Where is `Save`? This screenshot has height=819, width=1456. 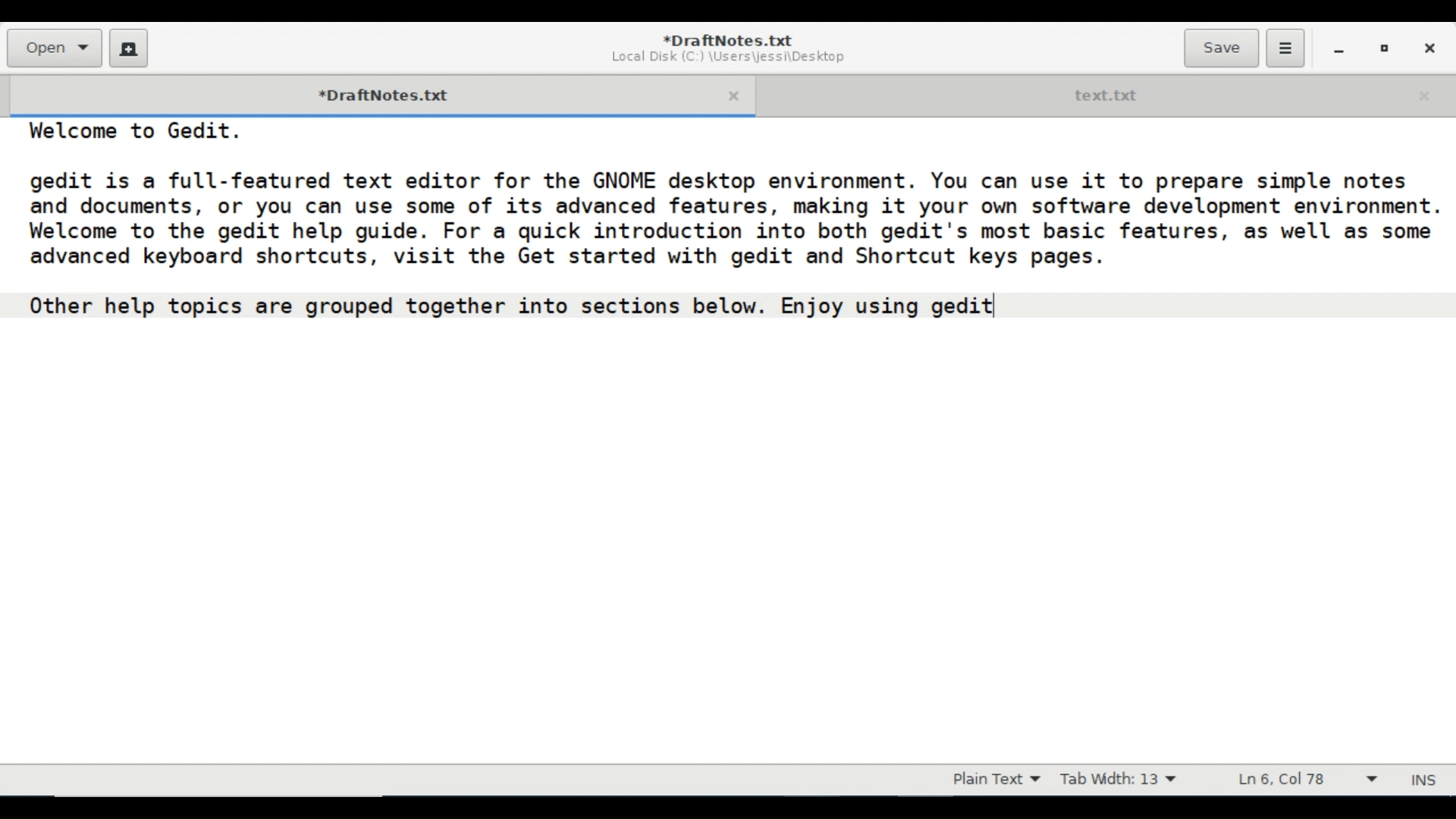
Save is located at coordinates (1221, 48).